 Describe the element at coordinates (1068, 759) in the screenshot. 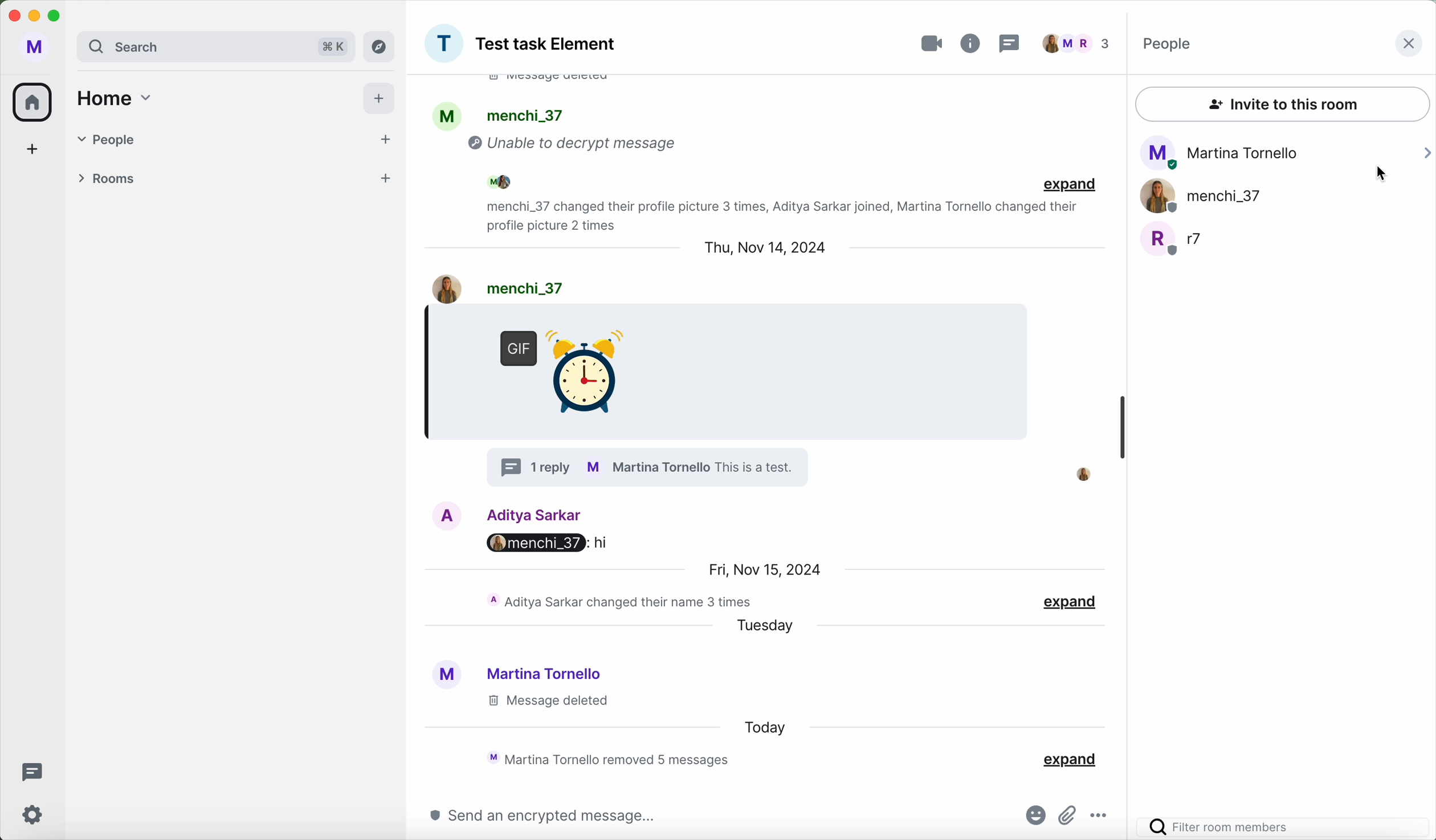

I see `expand` at that location.